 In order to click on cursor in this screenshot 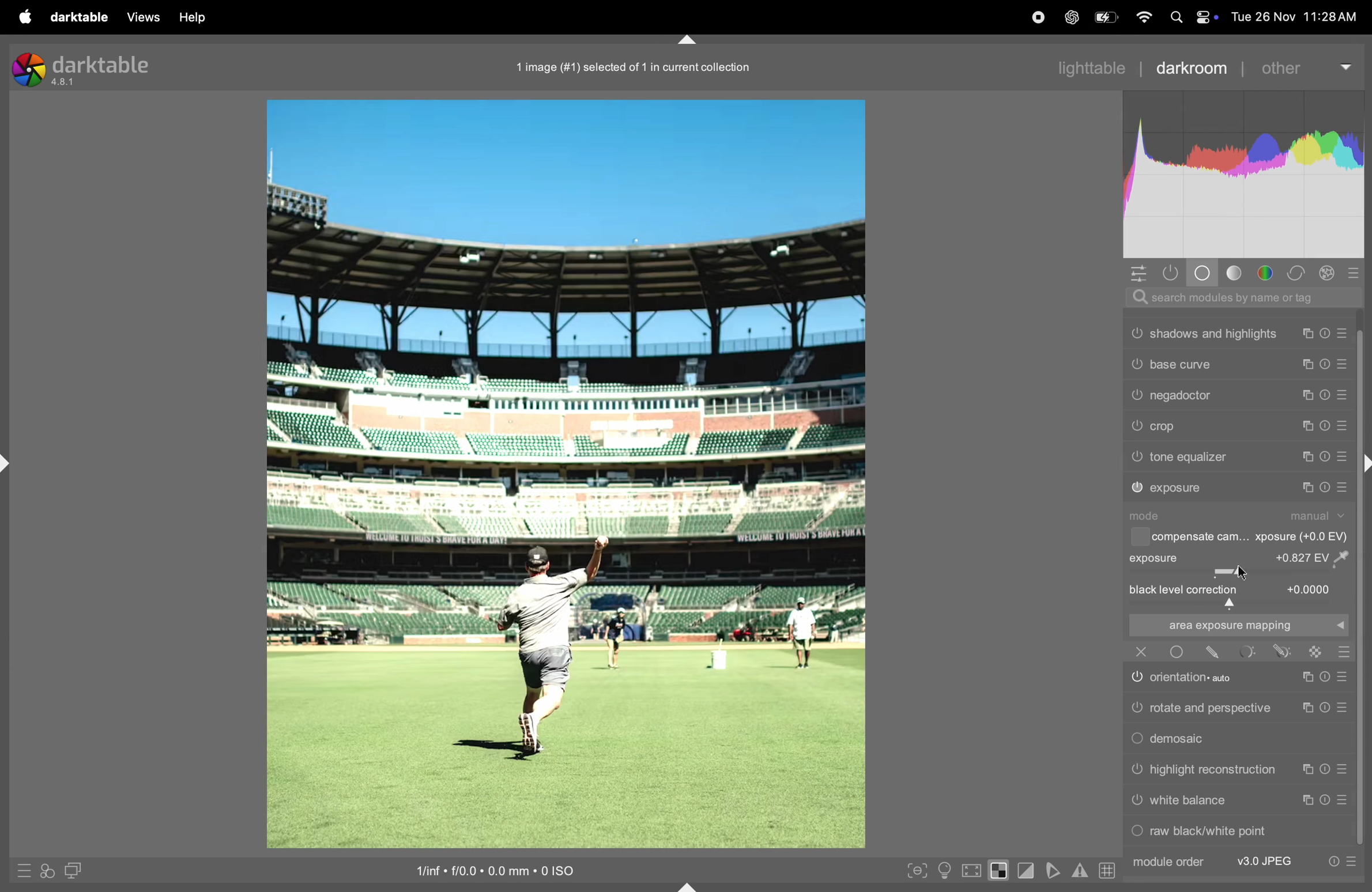, I will do `click(1247, 573)`.